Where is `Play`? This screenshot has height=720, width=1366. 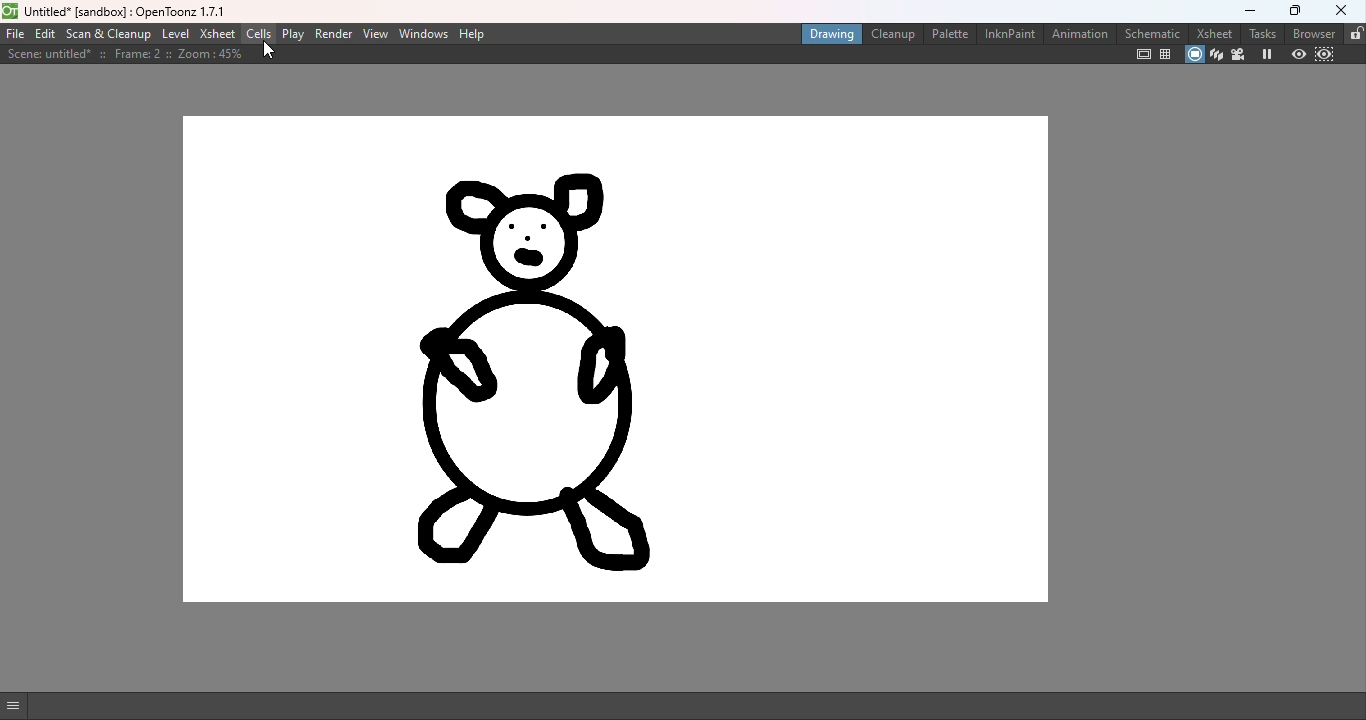 Play is located at coordinates (295, 34).